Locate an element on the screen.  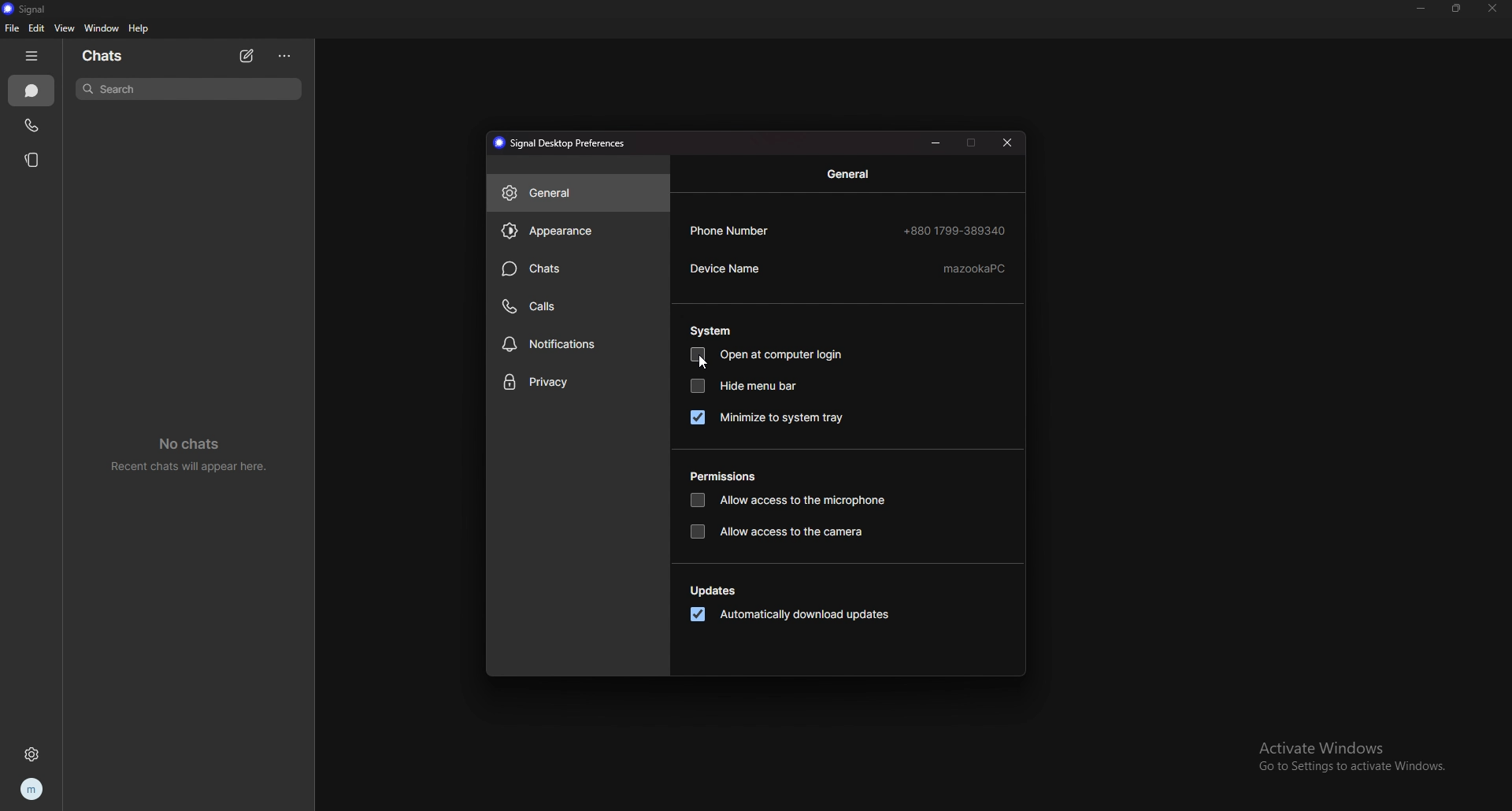
hide tab is located at coordinates (34, 55).